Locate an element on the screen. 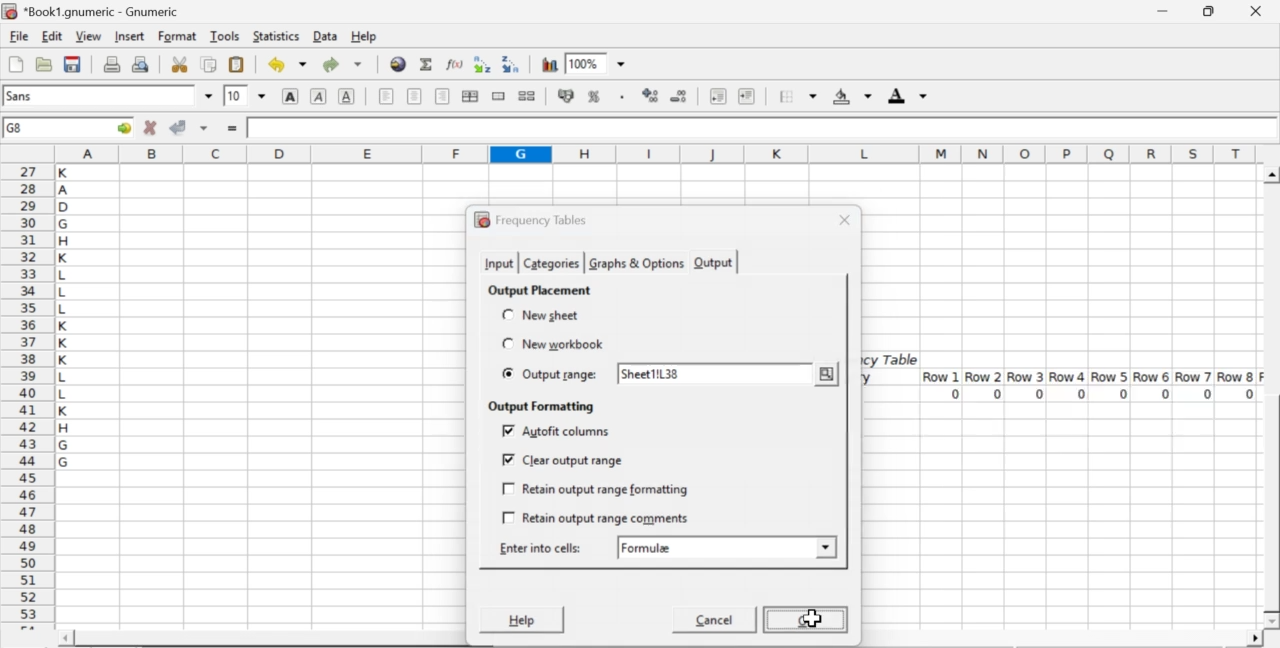 The image size is (1280, 648). borders is located at coordinates (799, 96).